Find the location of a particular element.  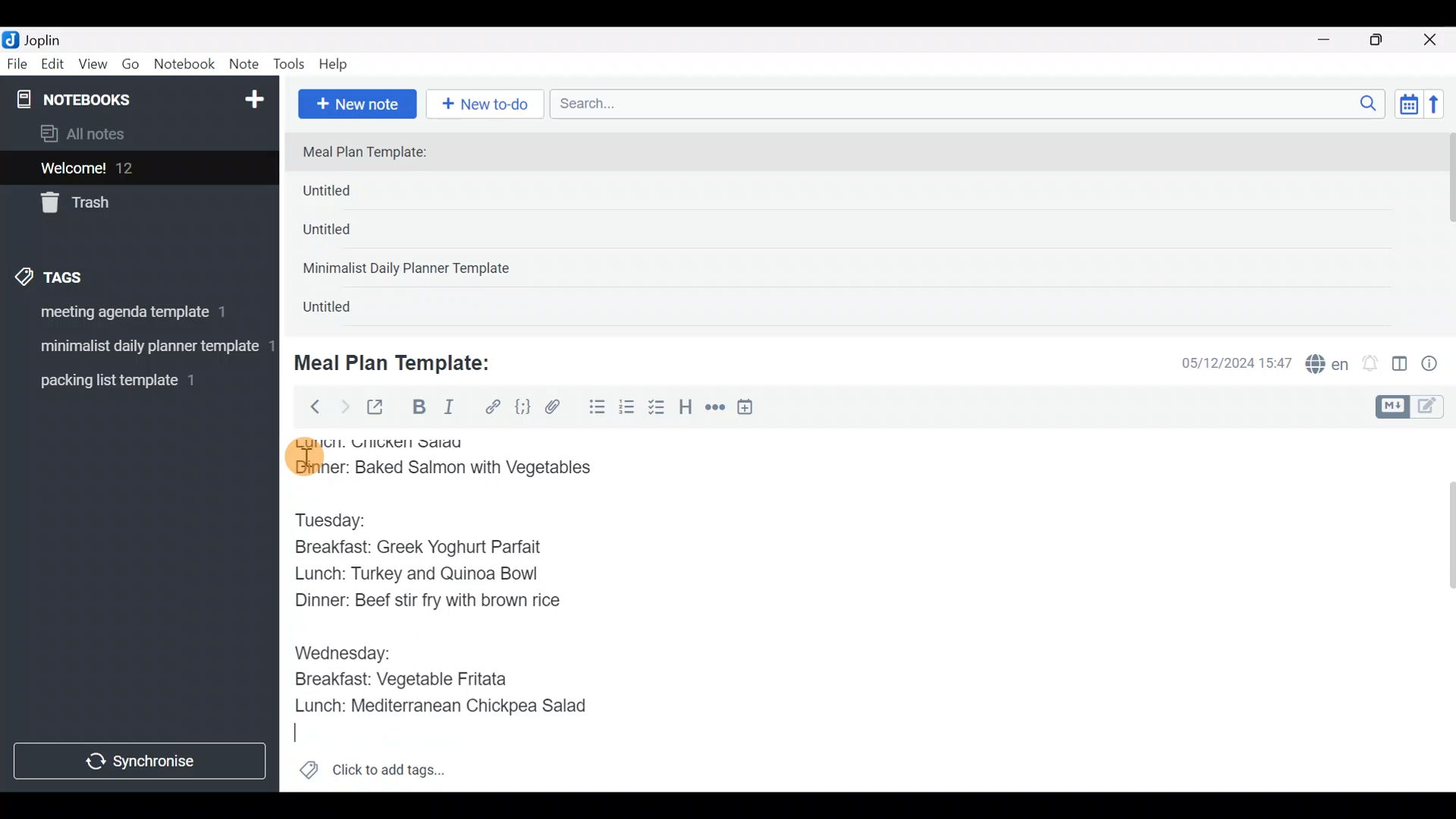

New is located at coordinates (253, 96).